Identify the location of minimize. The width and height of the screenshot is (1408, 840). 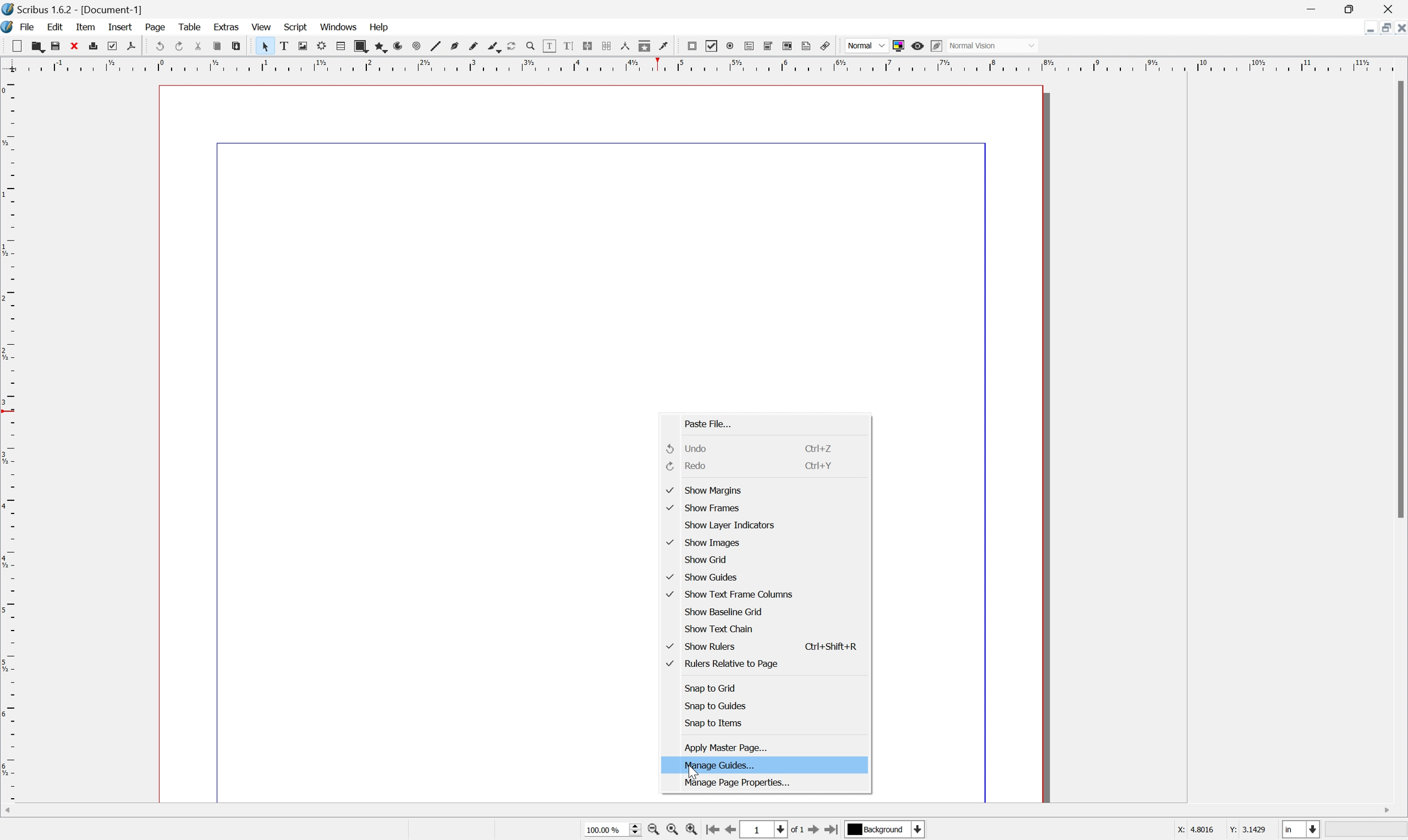
(1311, 7).